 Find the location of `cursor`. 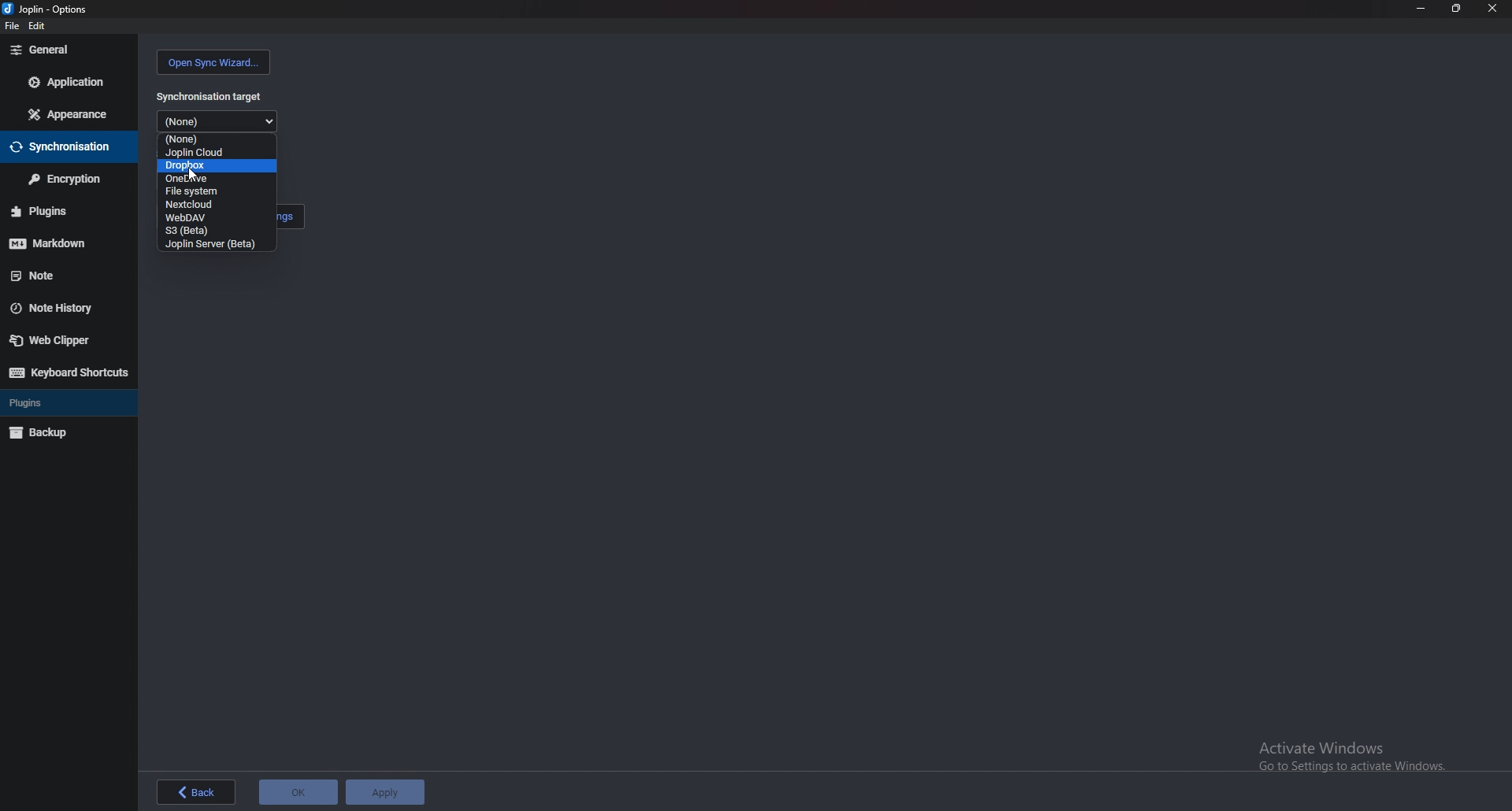

cursor is located at coordinates (192, 175).